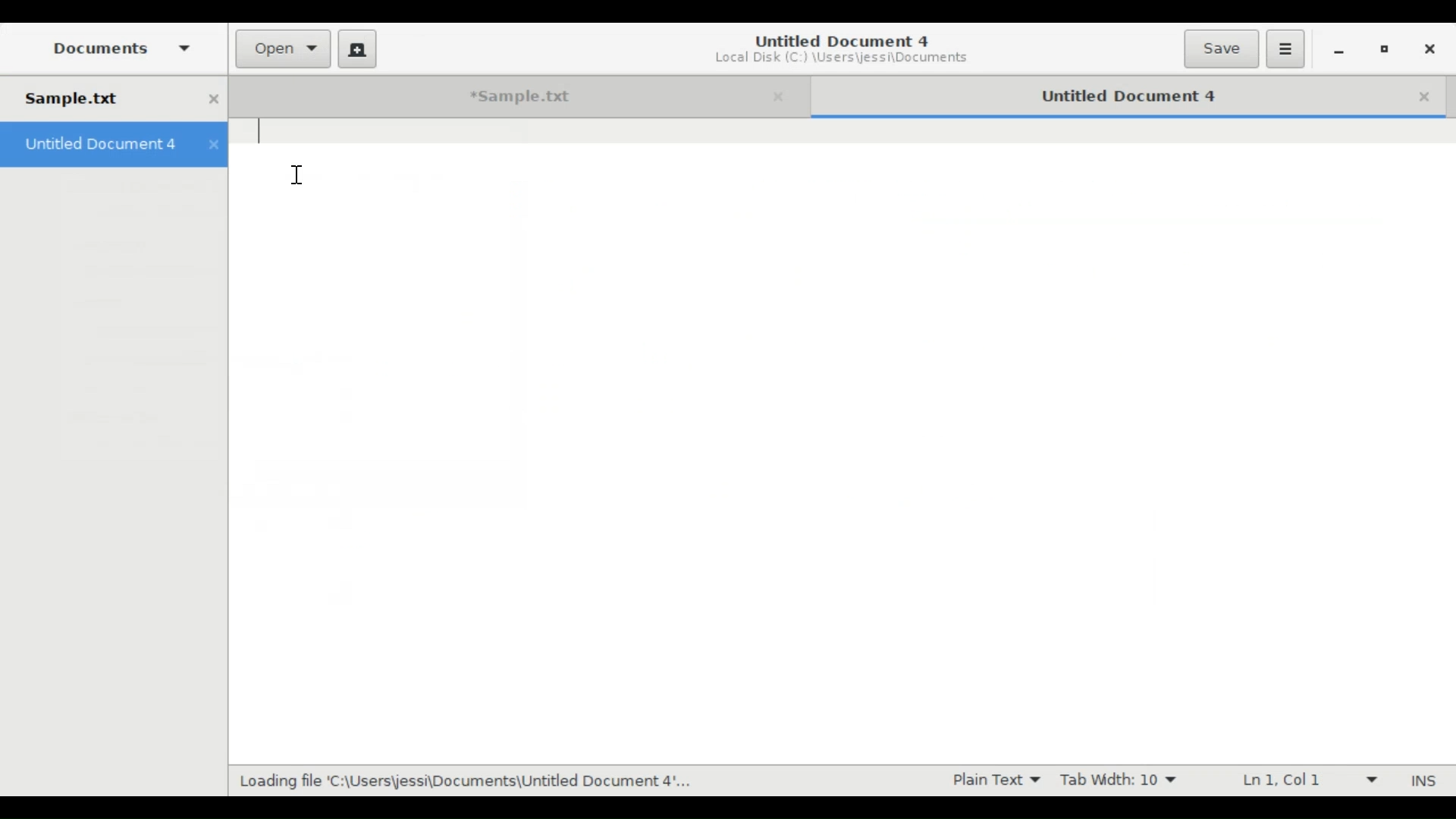 The height and width of the screenshot is (819, 1456). What do you see at coordinates (1118, 779) in the screenshot?
I see `Tab Width: 10` at bounding box center [1118, 779].